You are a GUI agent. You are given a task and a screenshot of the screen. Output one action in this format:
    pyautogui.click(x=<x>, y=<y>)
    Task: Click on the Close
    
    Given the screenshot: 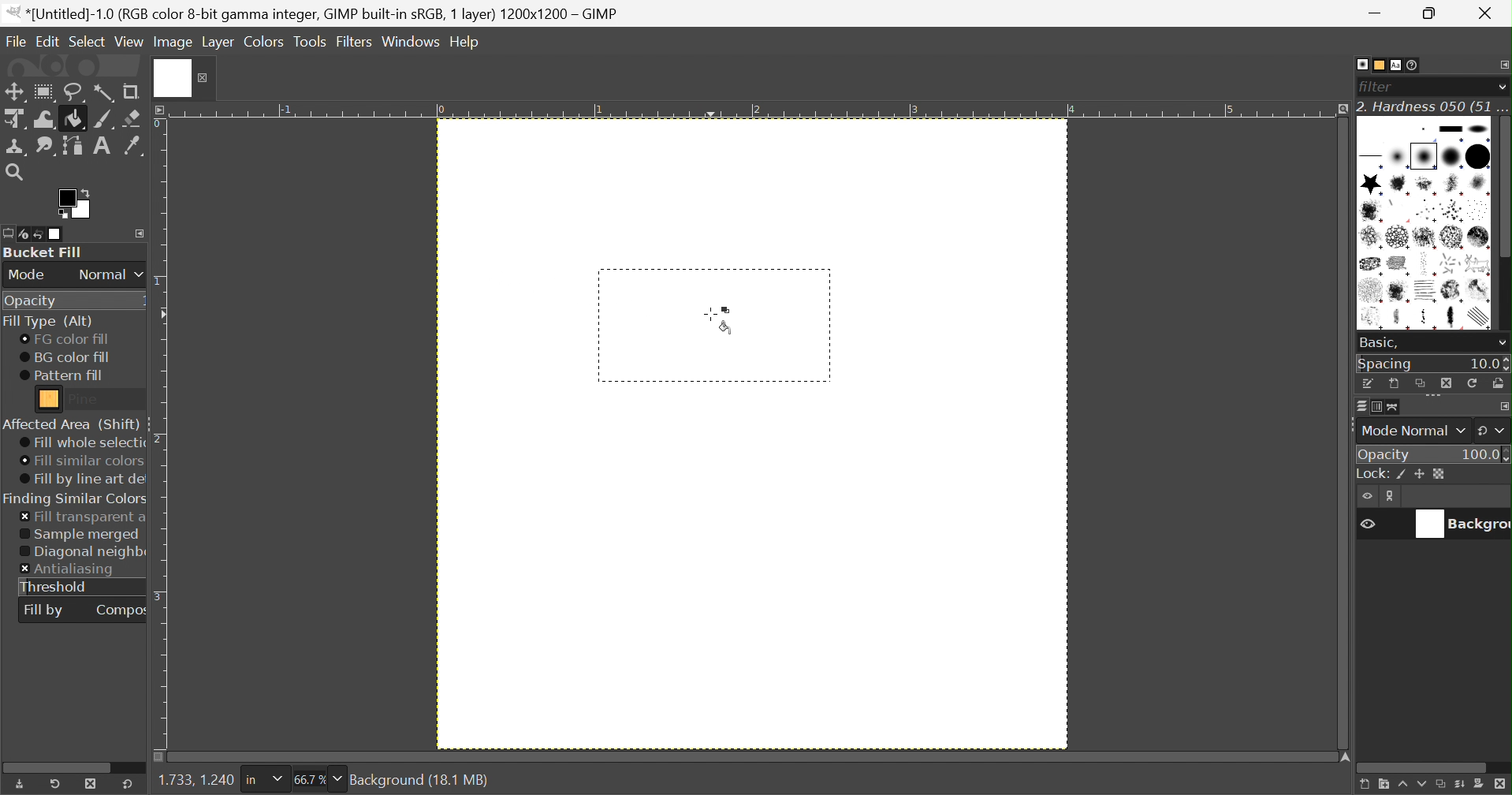 What is the action you would take?
    pyautogui.click(x=184, y=77)
    